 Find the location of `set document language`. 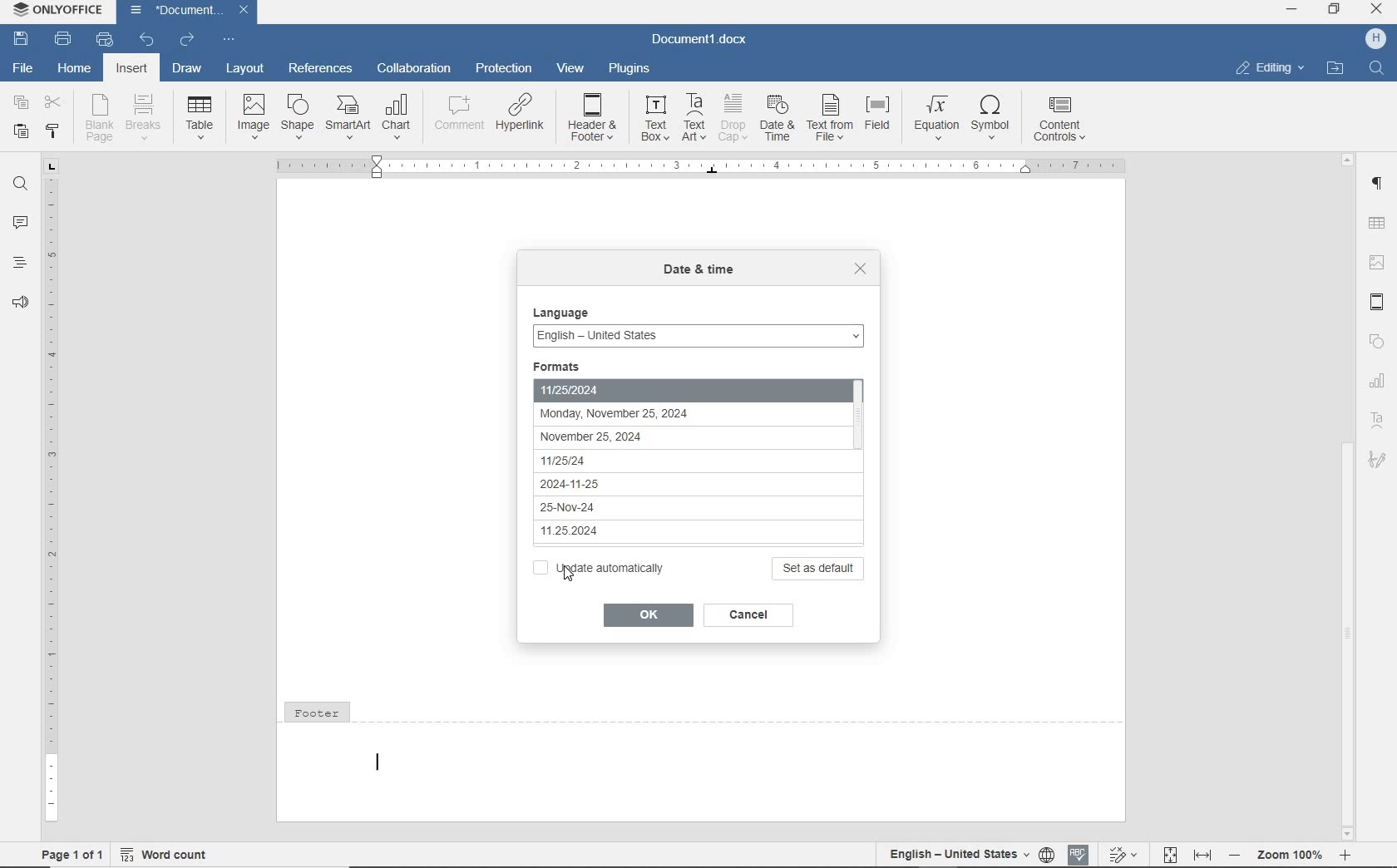

set document language is located at coordinates (1047, 855).